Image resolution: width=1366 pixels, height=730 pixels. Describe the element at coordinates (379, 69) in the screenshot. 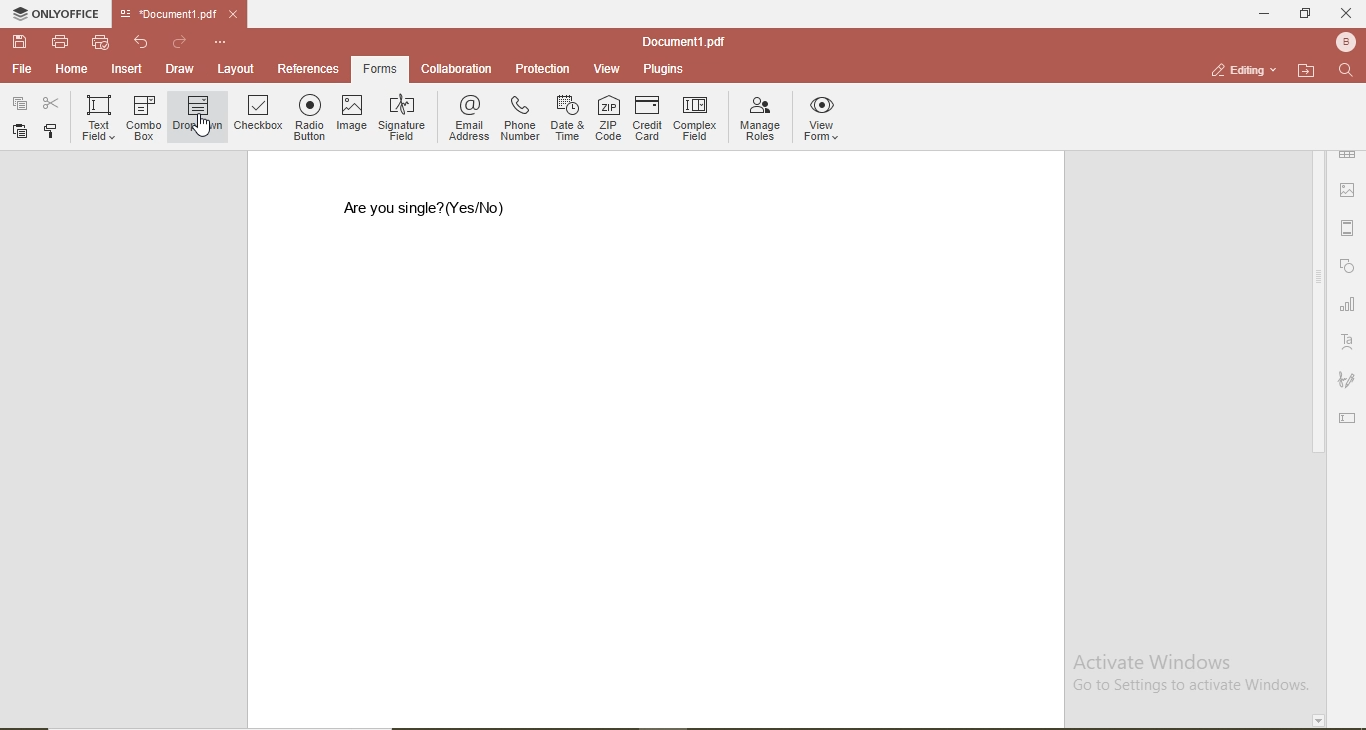

I see `forms` at that location.